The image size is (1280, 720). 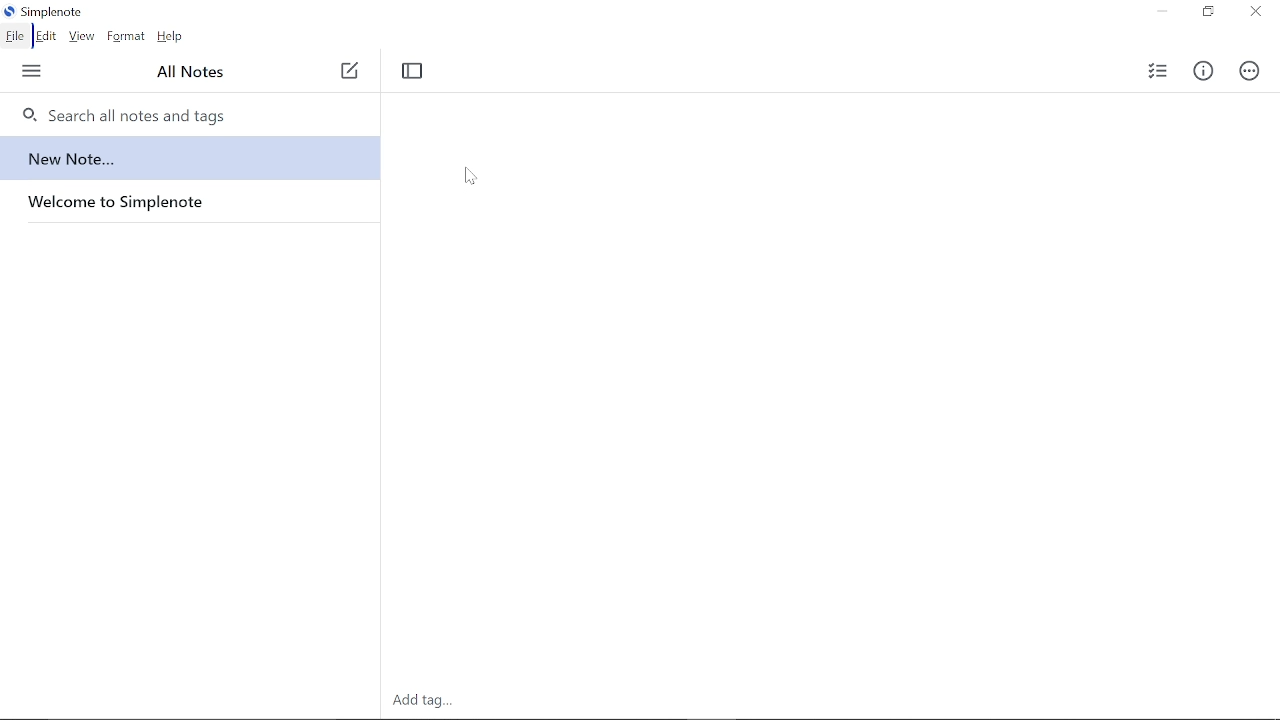 I want to click on Add tag, so click(x=423, y=703).